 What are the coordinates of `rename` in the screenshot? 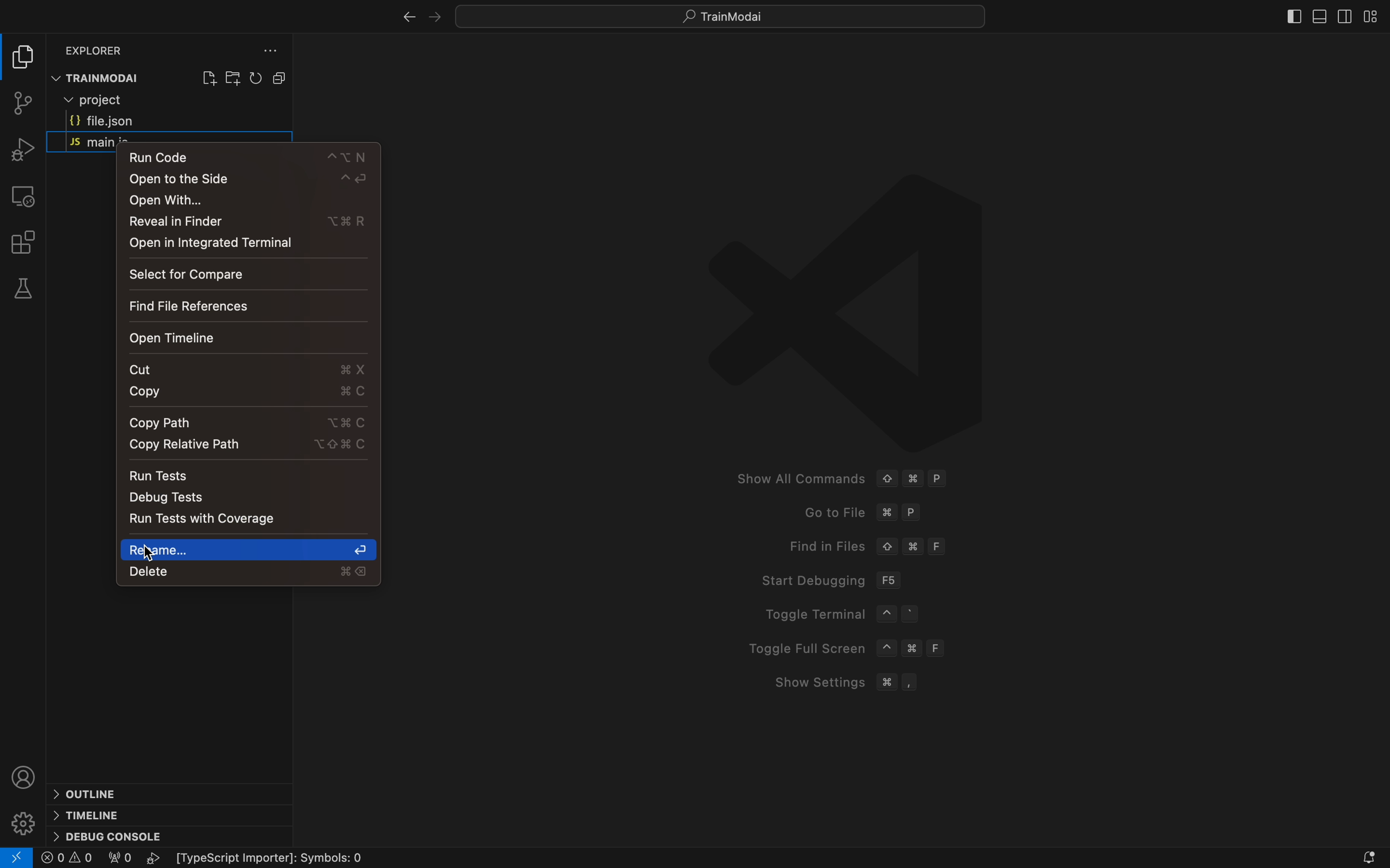 It's located at (249, 549).